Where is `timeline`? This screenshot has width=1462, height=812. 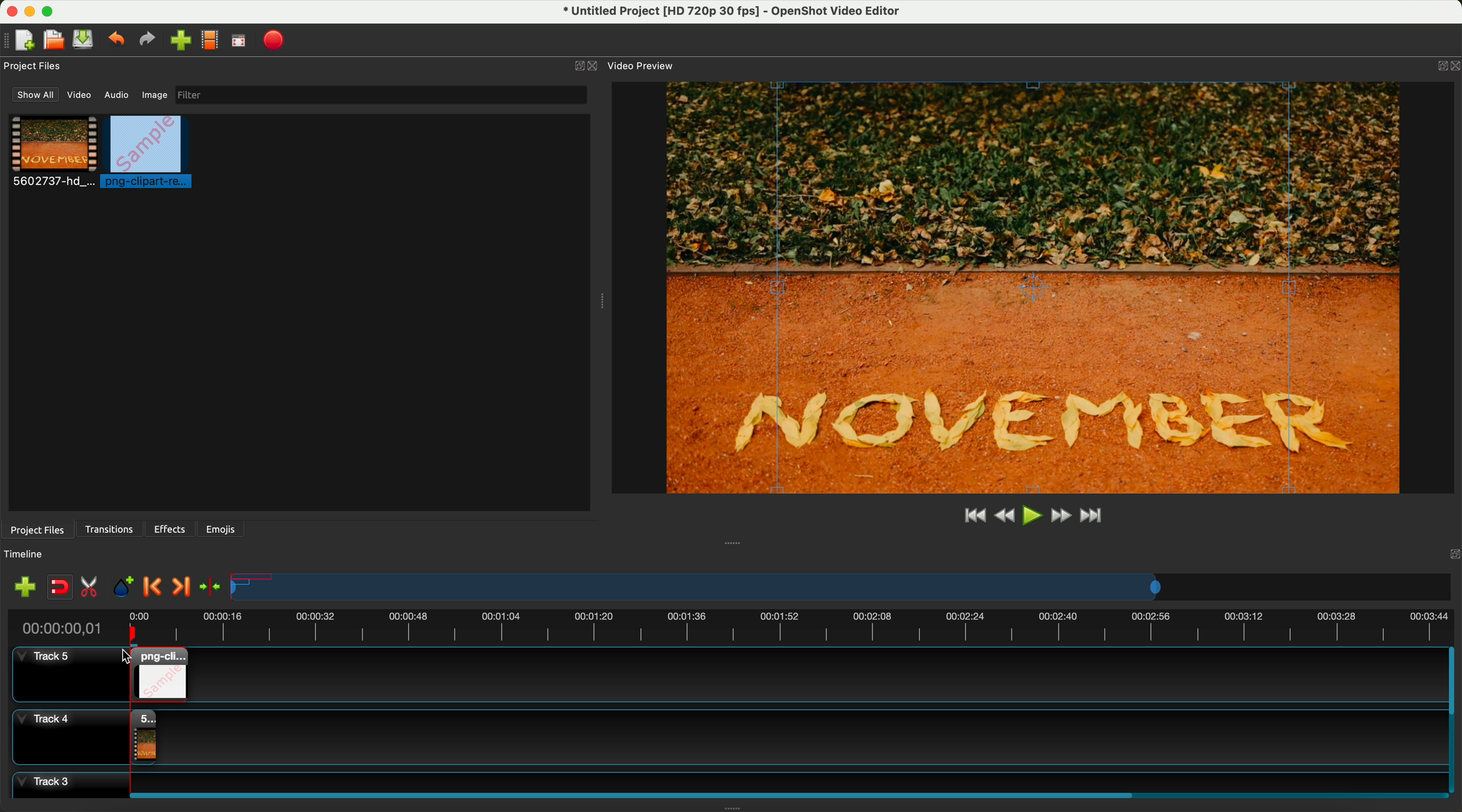
timeline is located at coordinates (730, 626).